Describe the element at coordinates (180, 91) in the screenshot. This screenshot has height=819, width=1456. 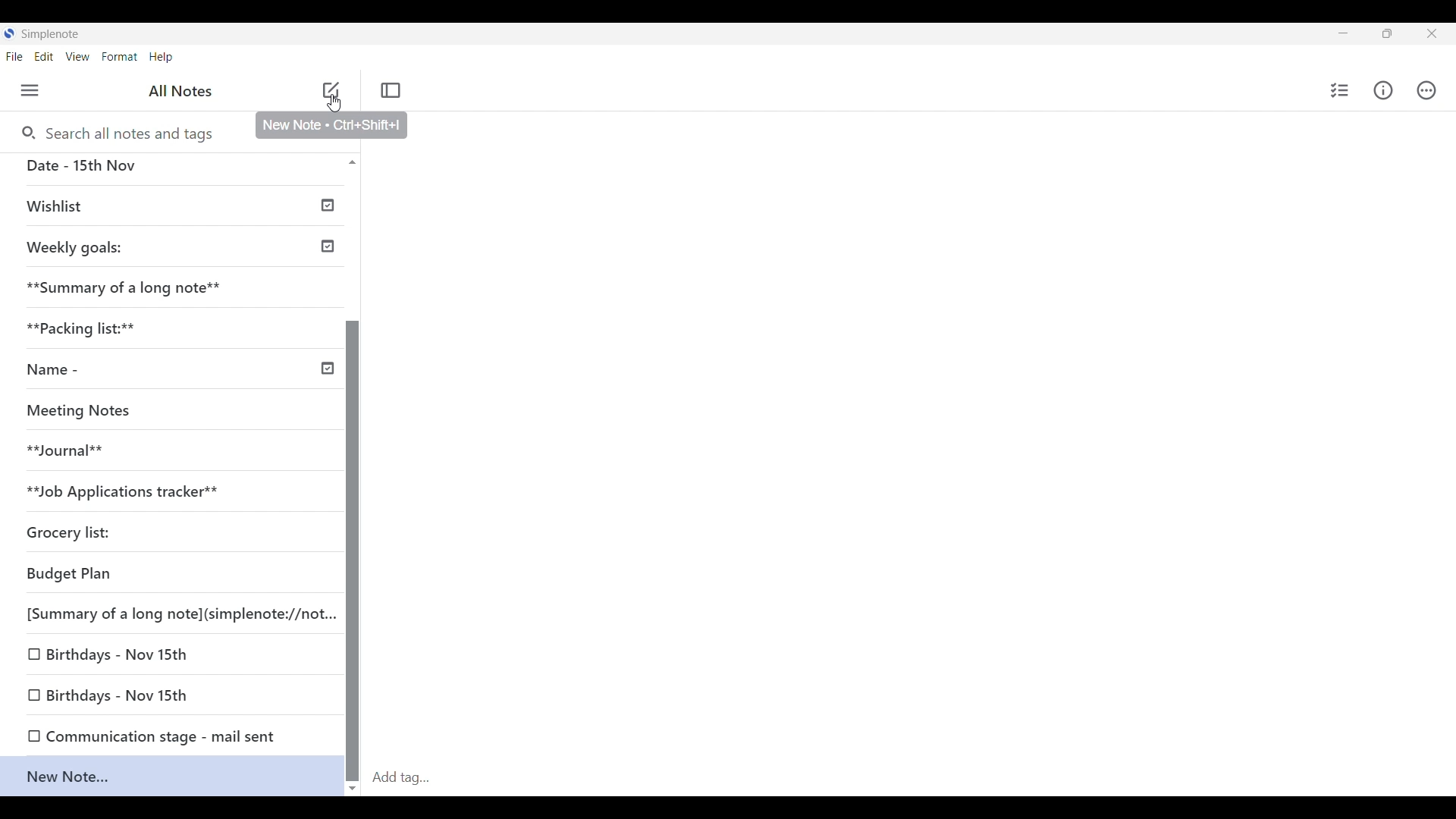
I see `Left panel title` at that location.